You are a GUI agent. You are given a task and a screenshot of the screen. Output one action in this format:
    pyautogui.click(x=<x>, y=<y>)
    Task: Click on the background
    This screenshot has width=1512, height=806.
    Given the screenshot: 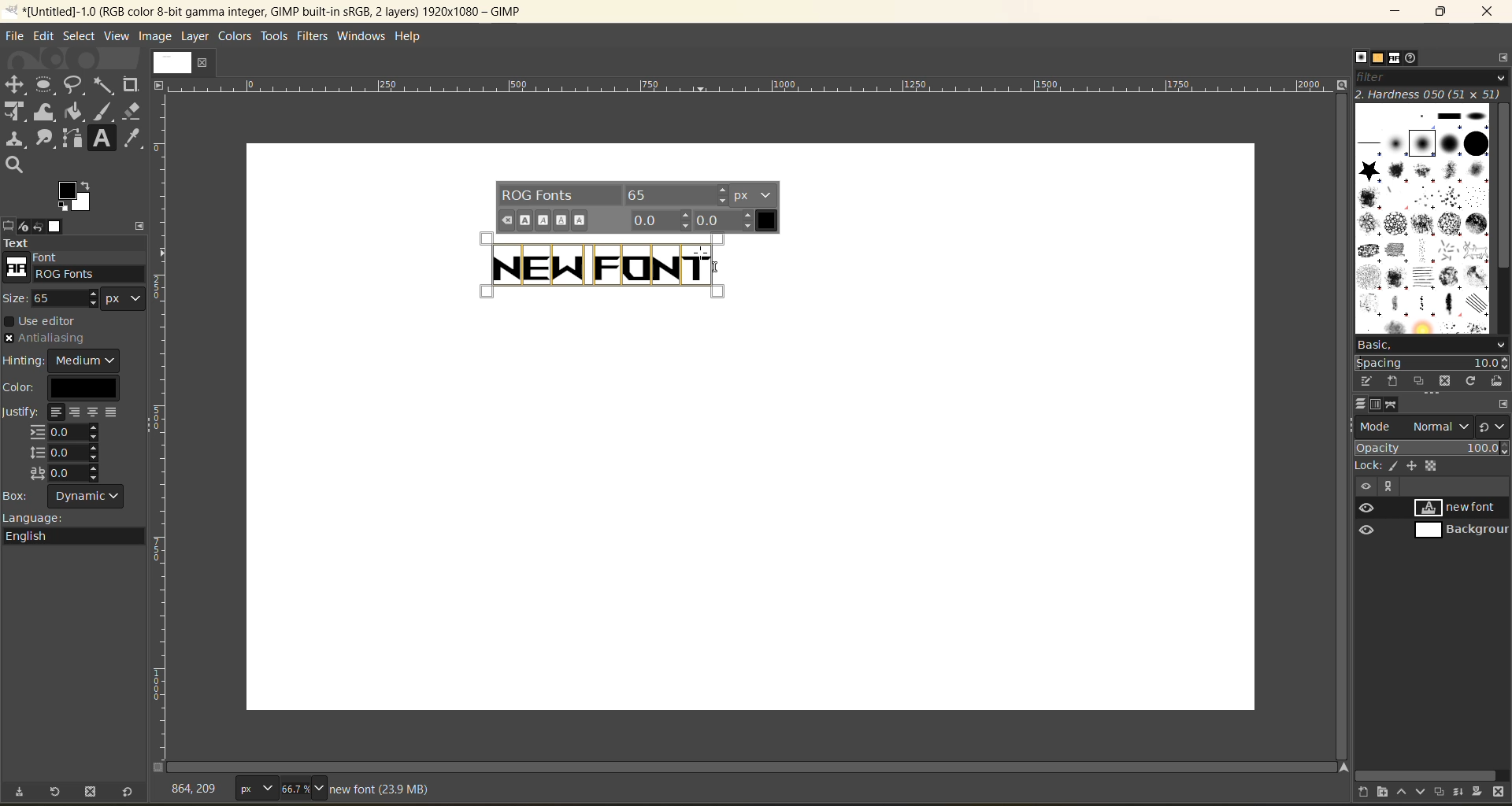 What is the action you would take?
    pyautogui.click(x=1459, y=531)
    